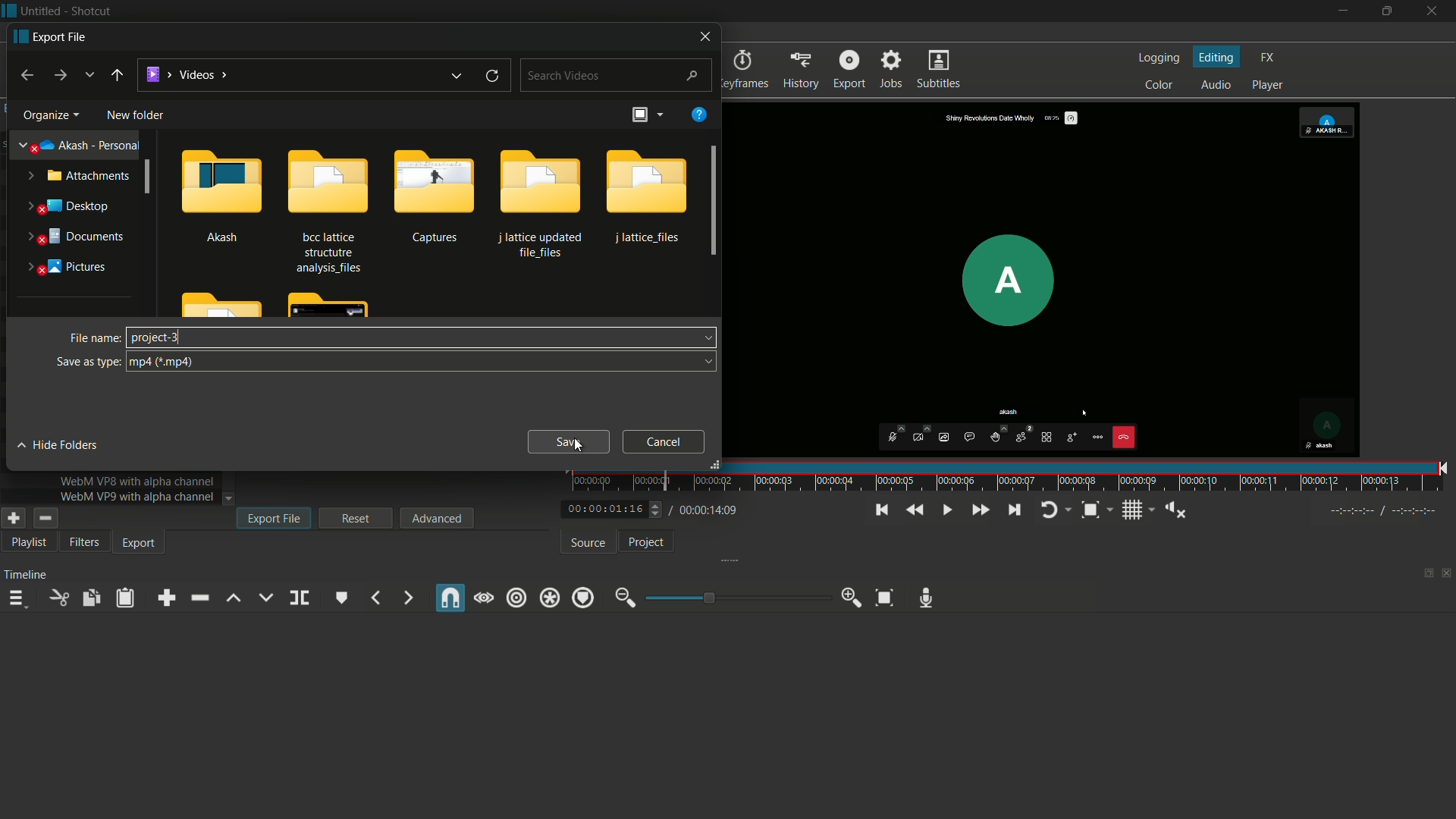 The width and height of the screenshot is (1456, 819). I want to click on color, so click(1159, 86).